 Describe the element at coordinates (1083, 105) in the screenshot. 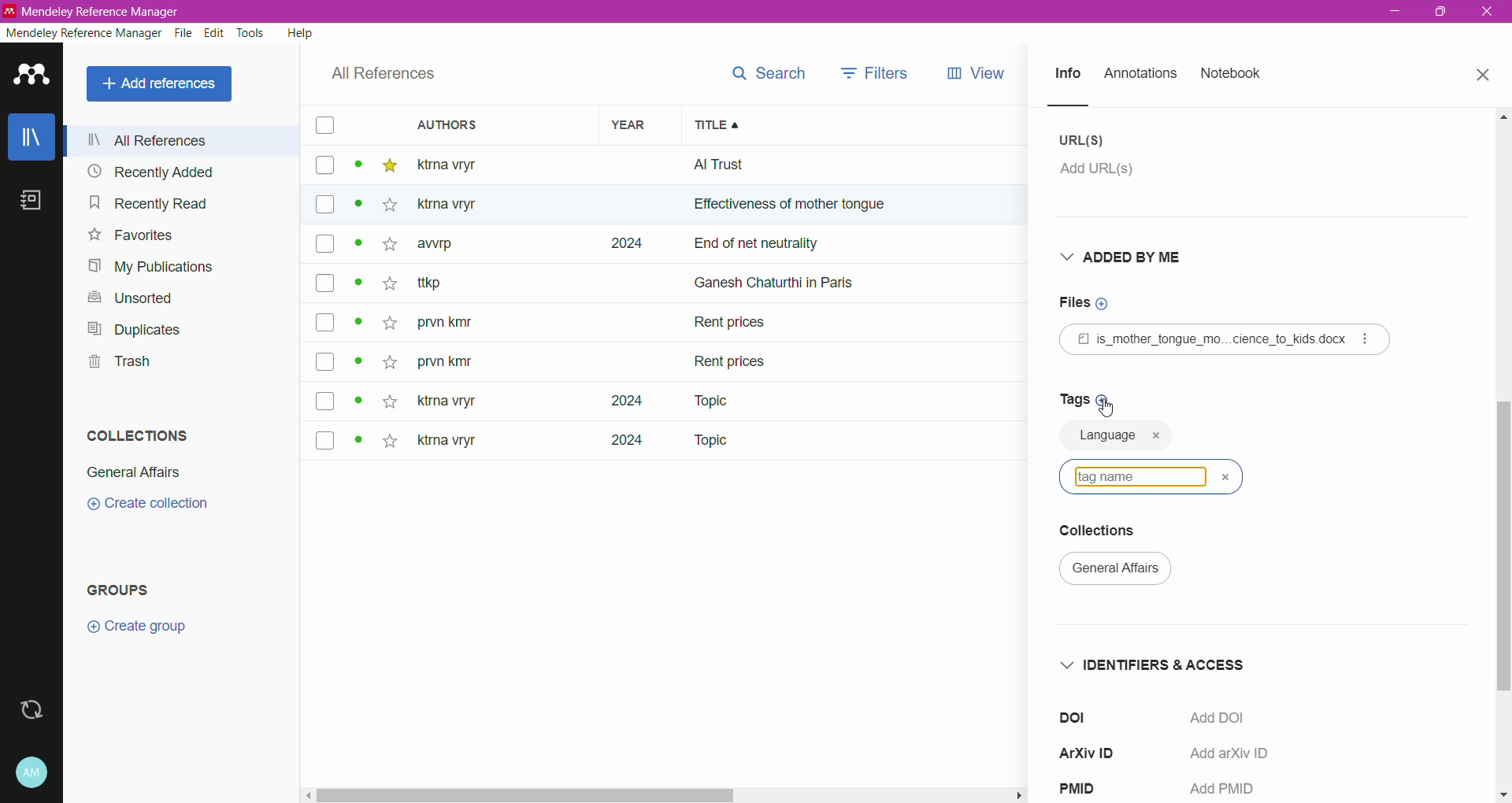

I see `line ` at that location.